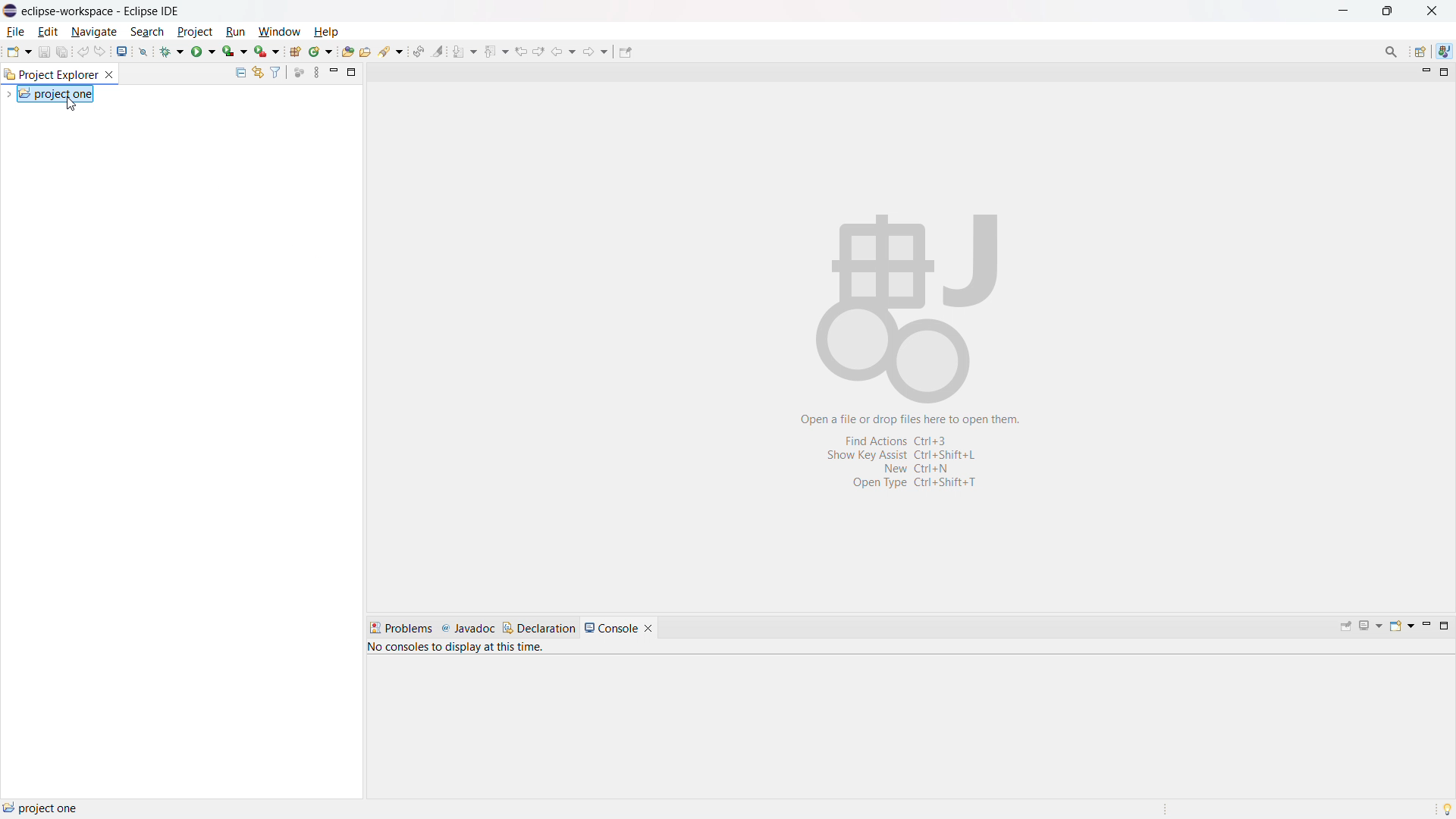  Describe the element at coordinates (1425, 626) in the screenshot. I see `minimize` at that location.